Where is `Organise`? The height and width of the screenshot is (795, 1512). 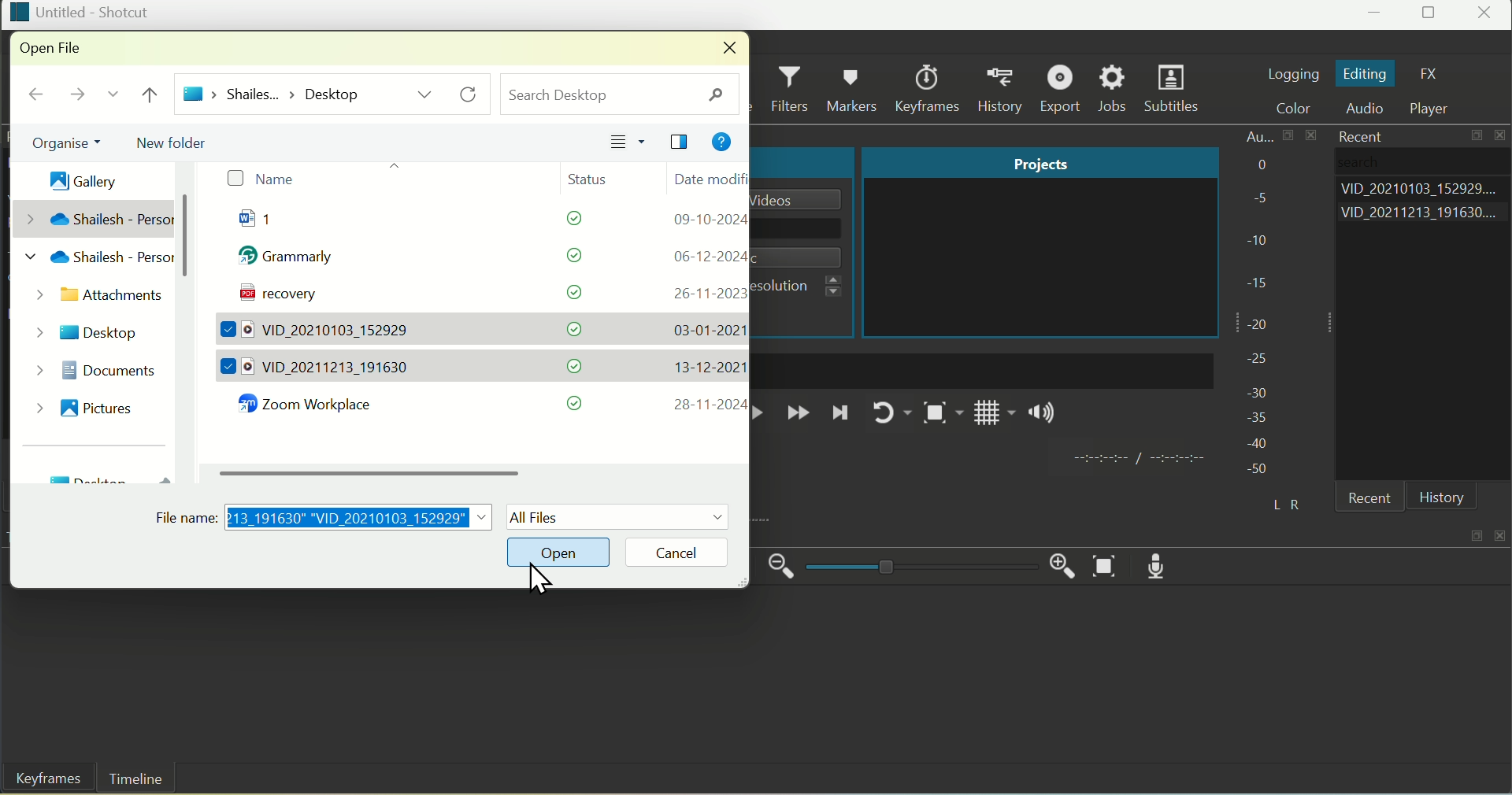
Organise is located at coordinates (59, 143).